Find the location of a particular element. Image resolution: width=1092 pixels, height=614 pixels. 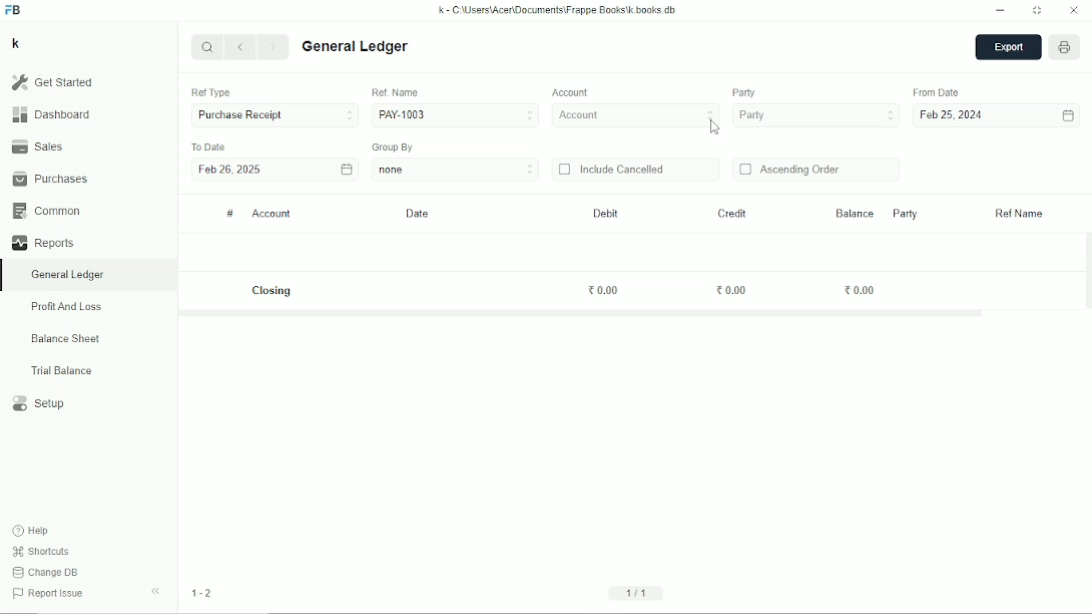

General ledger is located at coordinates (356, 47).